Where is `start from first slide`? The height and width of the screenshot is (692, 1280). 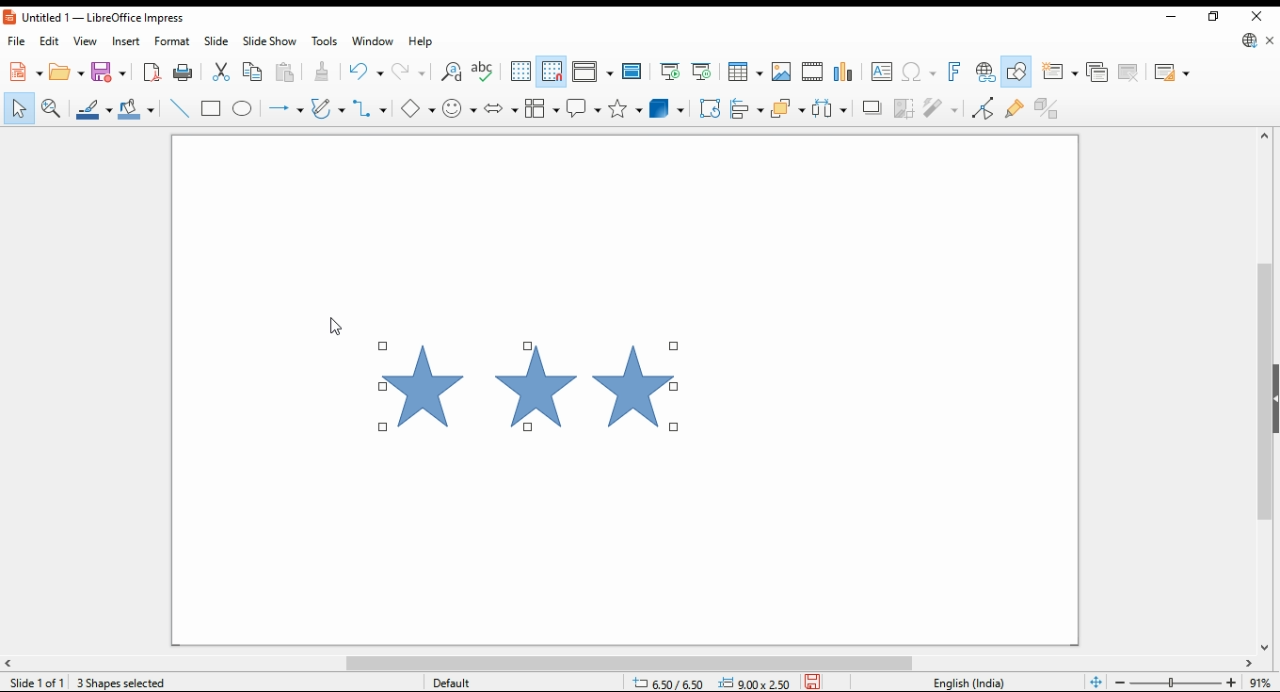 start from first slide is located at coordinates (669, 72).